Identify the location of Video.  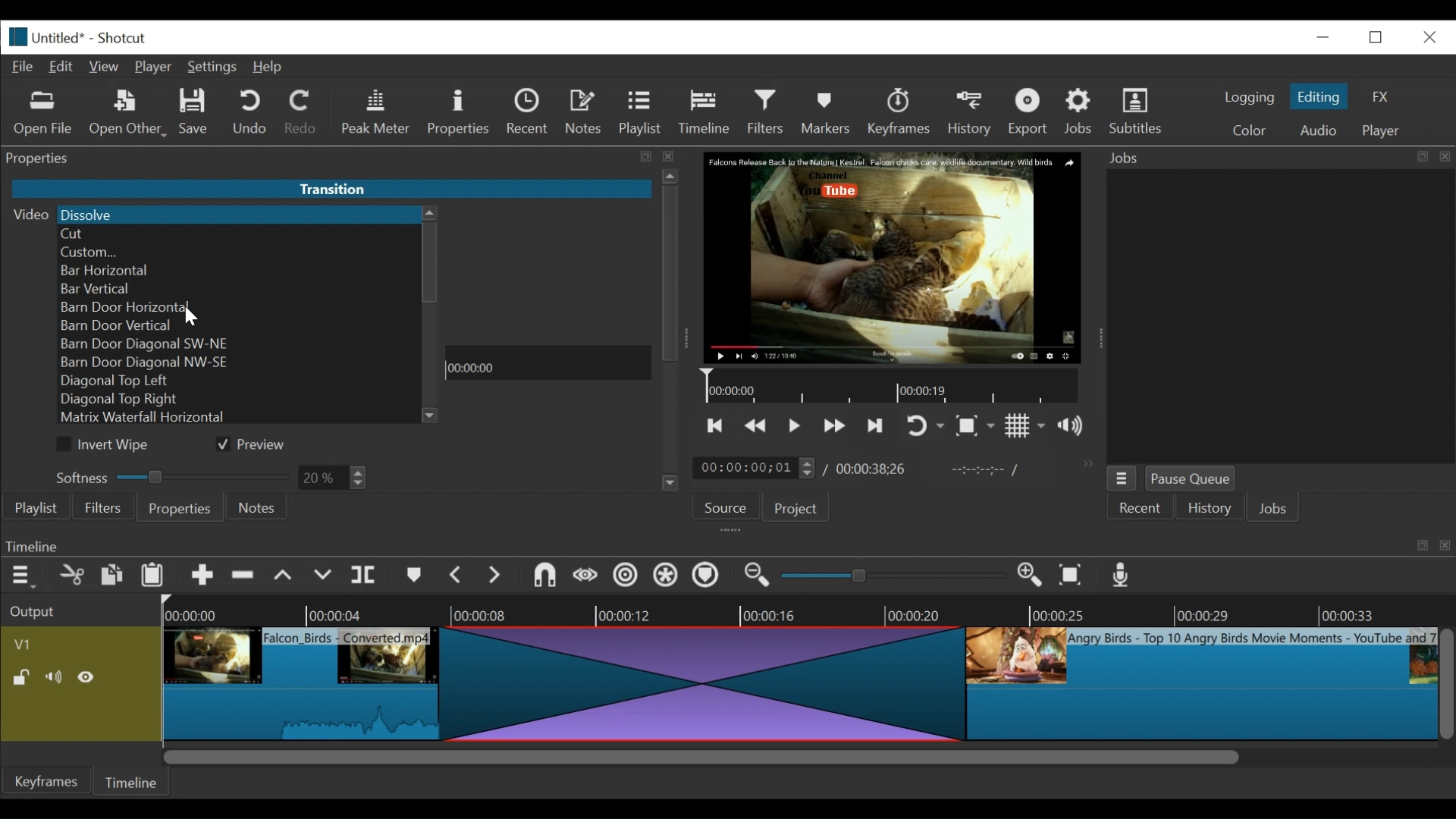
(27, 214).